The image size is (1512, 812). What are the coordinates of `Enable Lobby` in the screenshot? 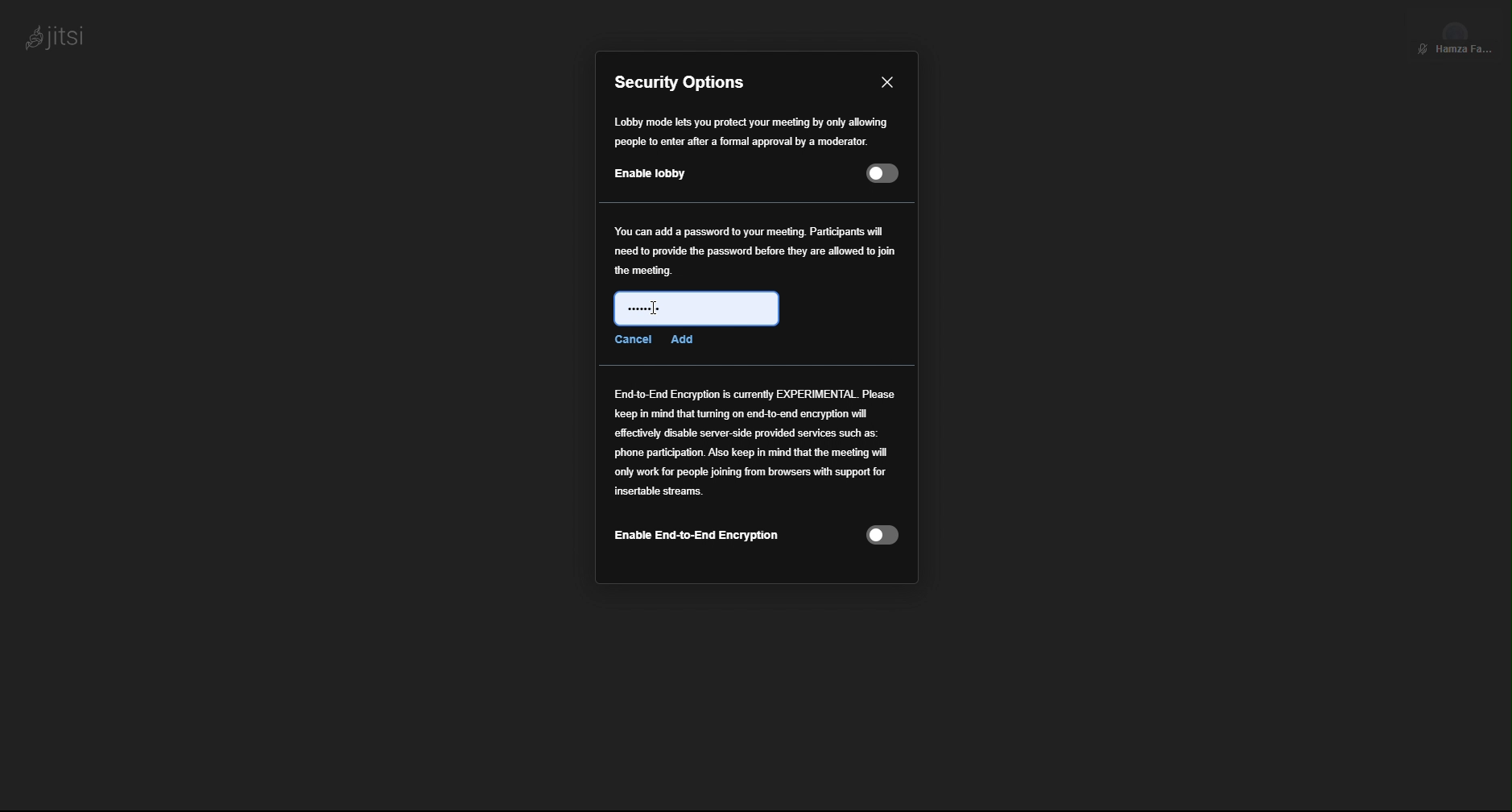 It's located at (751, 148).